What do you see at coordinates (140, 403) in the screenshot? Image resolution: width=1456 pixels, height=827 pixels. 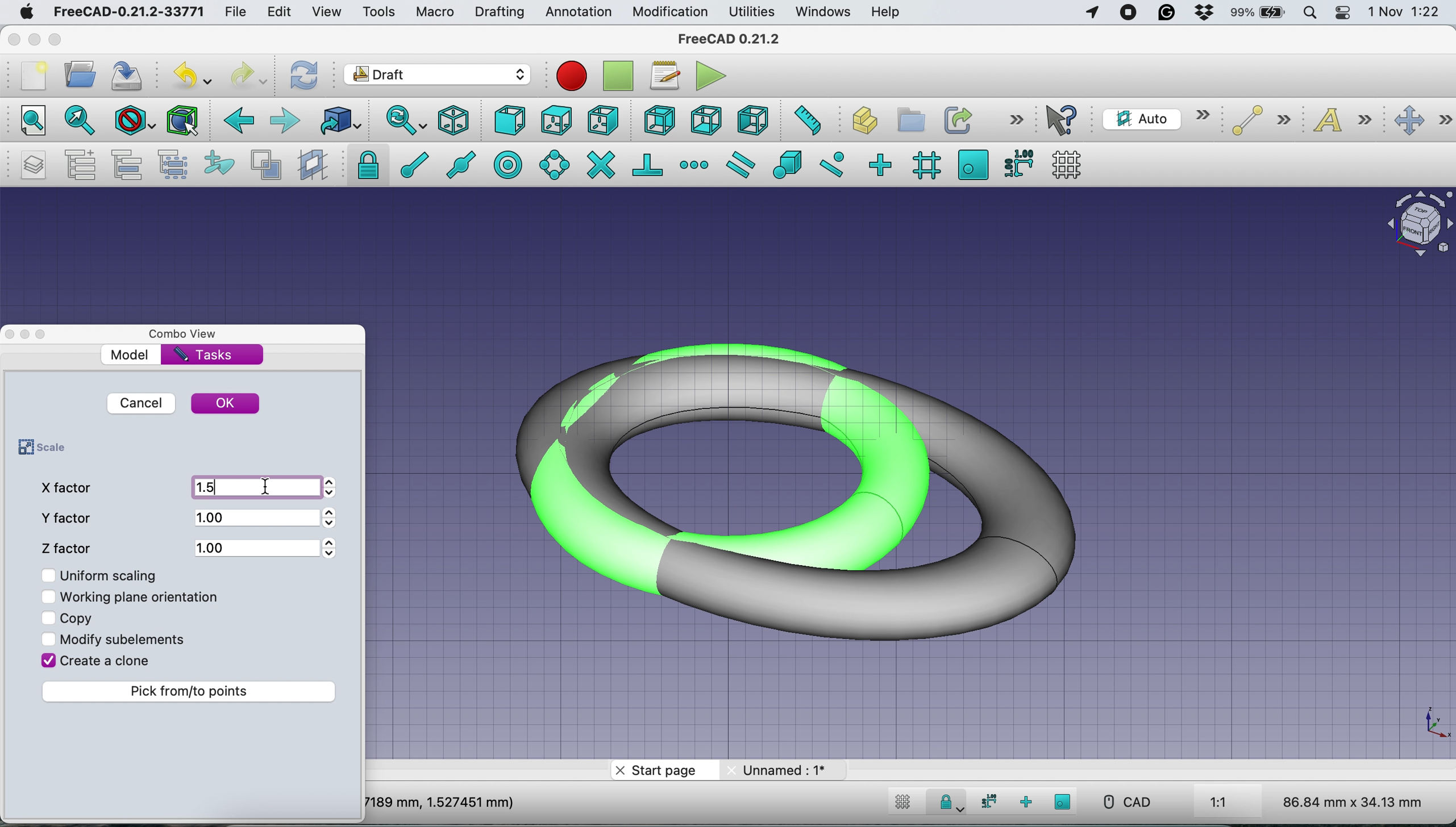 I see `cancel` at bounding box center [140, 403].